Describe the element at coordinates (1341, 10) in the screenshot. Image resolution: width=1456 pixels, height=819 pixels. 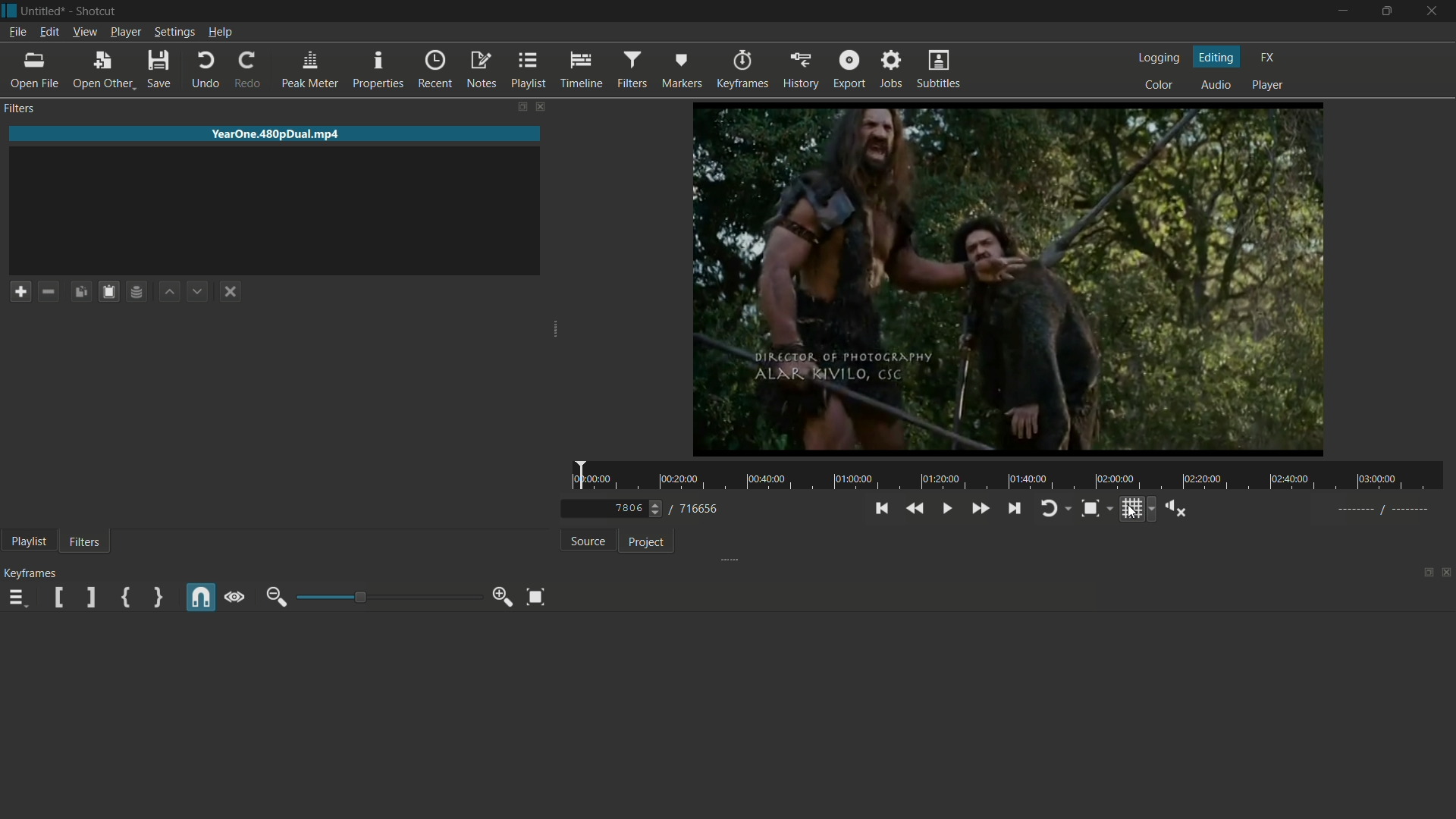
I see `minimize` at that location.